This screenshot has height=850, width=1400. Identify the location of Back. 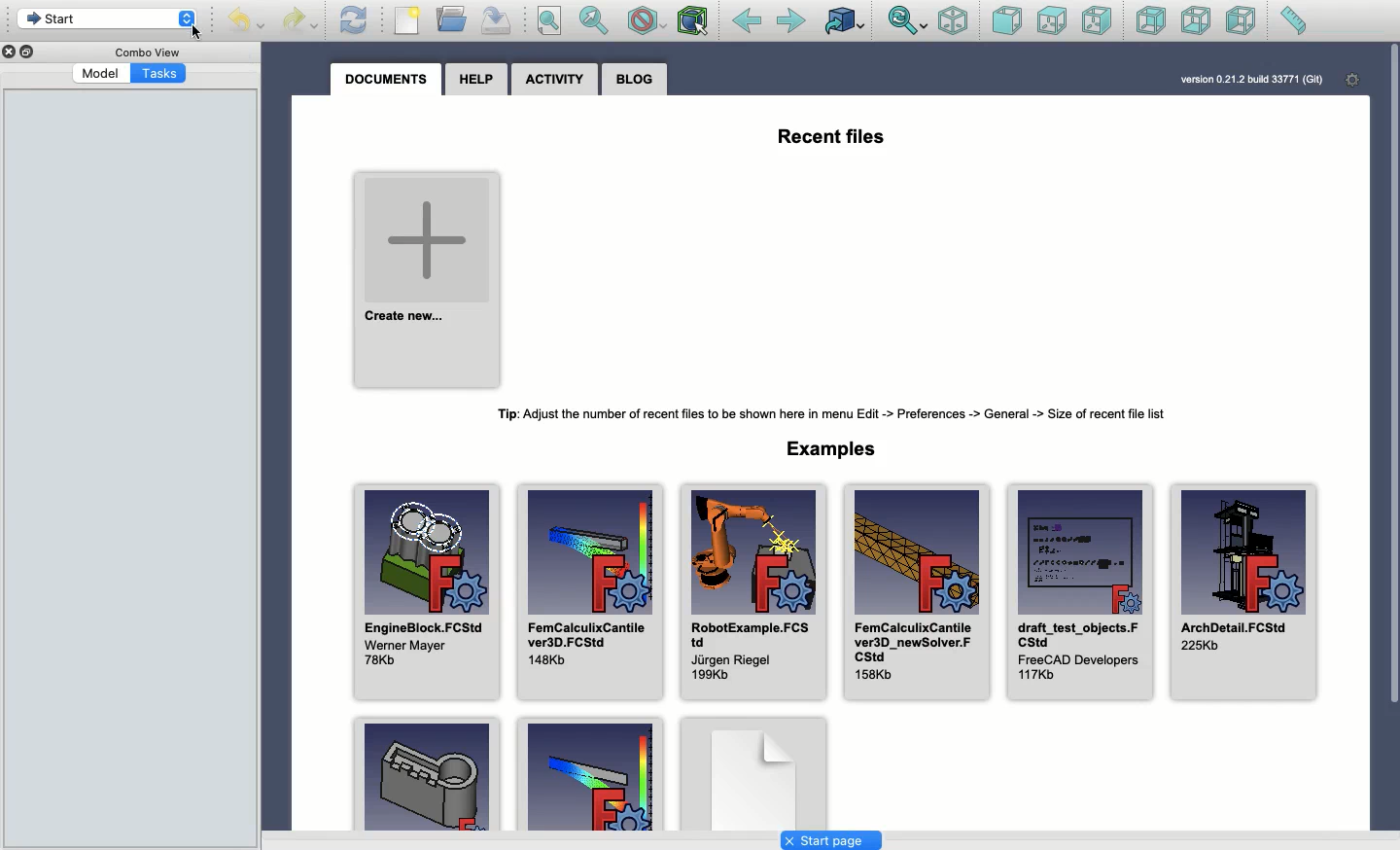
(748, 21).